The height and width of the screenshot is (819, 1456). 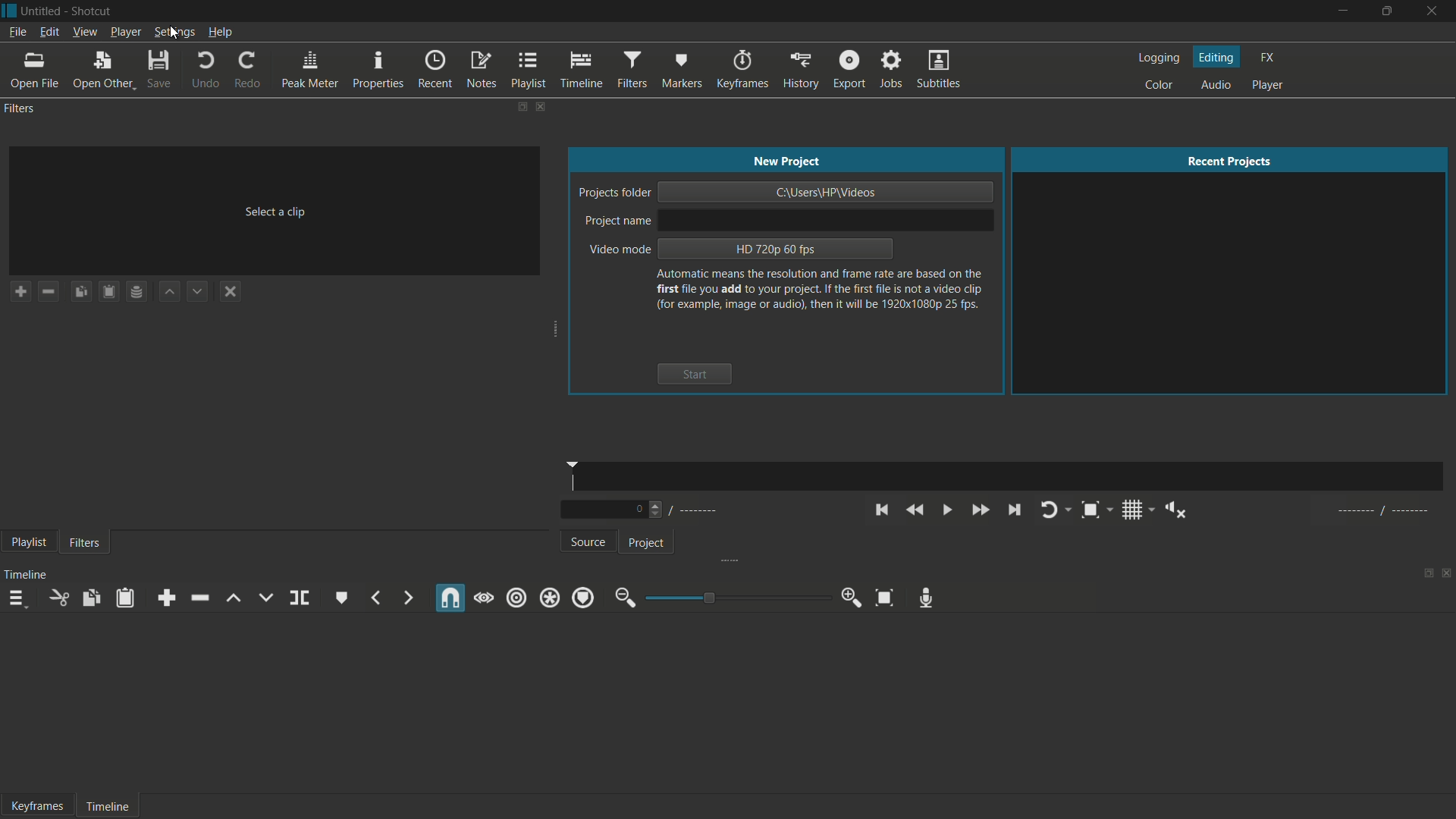 What do you see at coordinates (84, 33) in the screenshot?
I see `view menu` at bounding box center [84, 33].